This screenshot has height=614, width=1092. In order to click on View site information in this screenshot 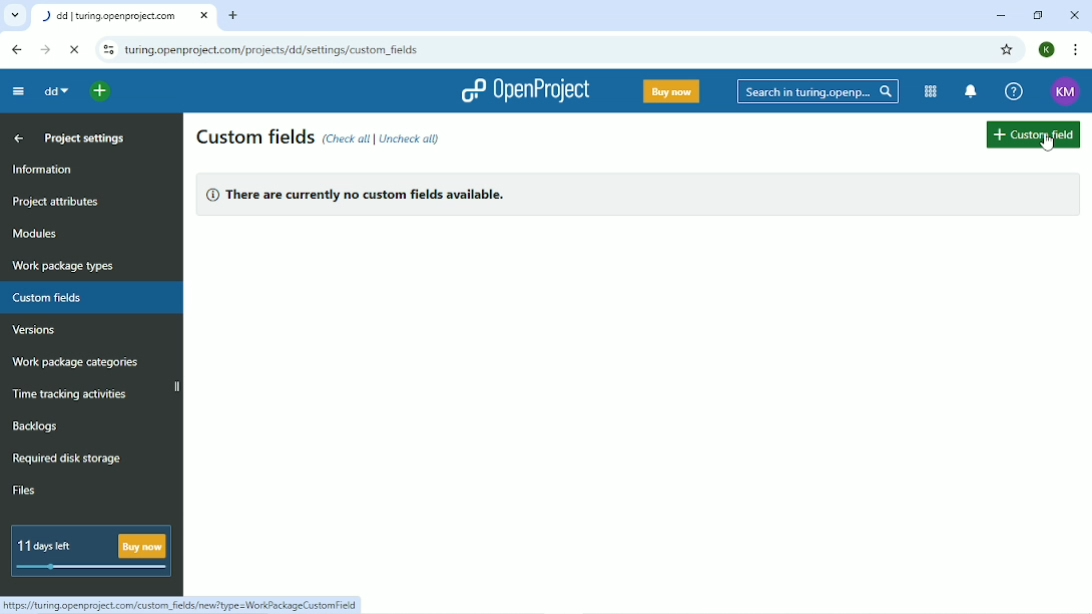, I will do `click(107, 50)`.